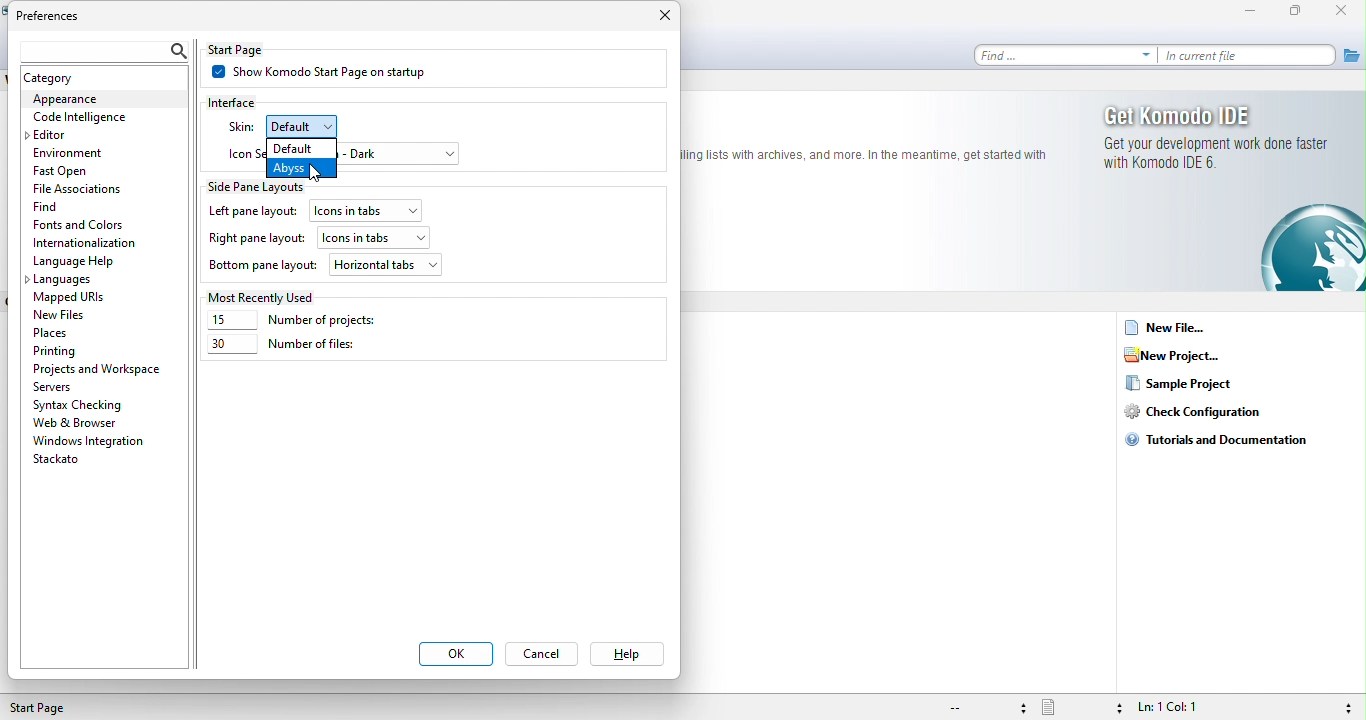 Image resolution: width=1366 pixels, height=720 pixels. What do you see at coordinates (301, 167) in the screenshot?
I see `abyss` at bounding box center [301, 167].